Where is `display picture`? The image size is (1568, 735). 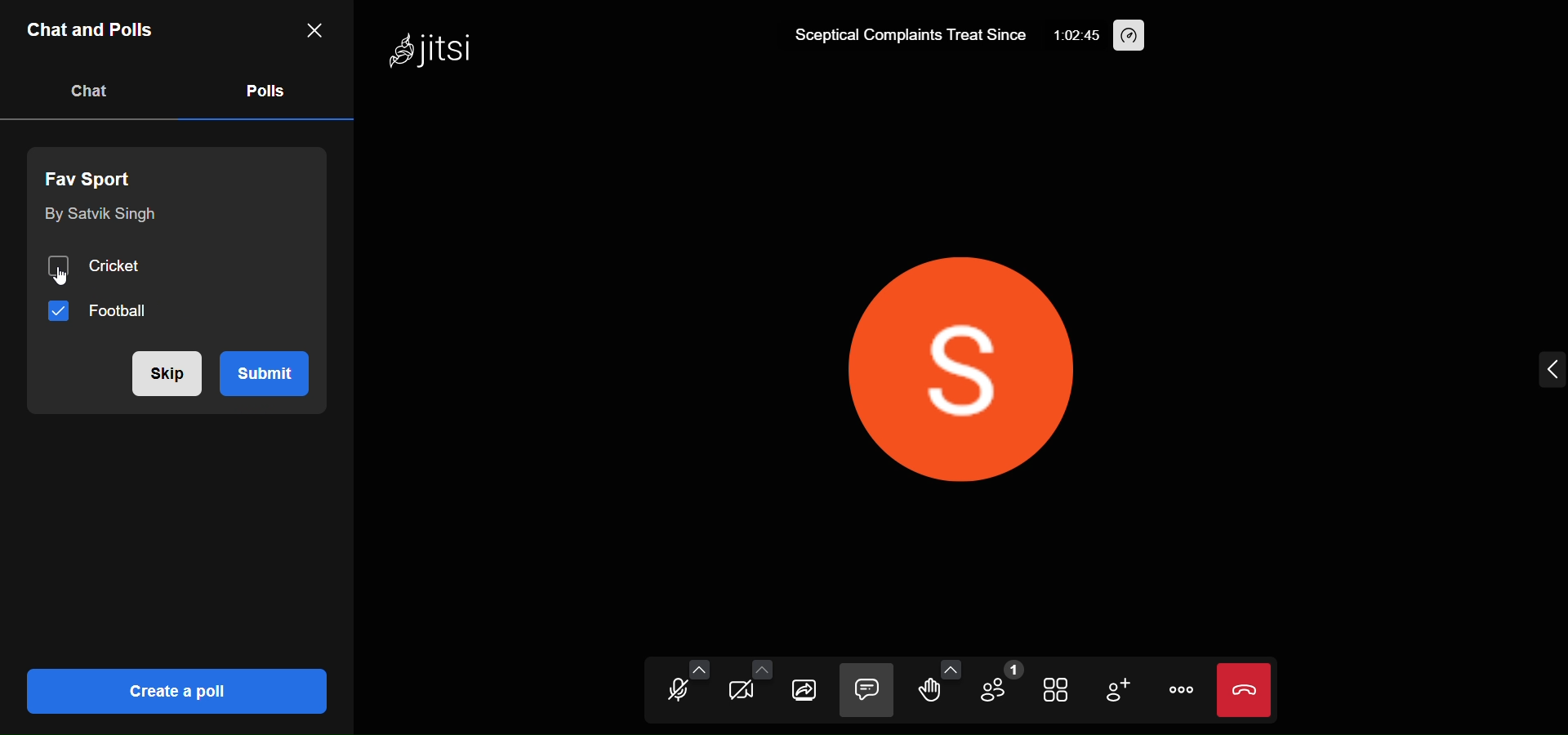 display picture is located at coordinates (975, 359).